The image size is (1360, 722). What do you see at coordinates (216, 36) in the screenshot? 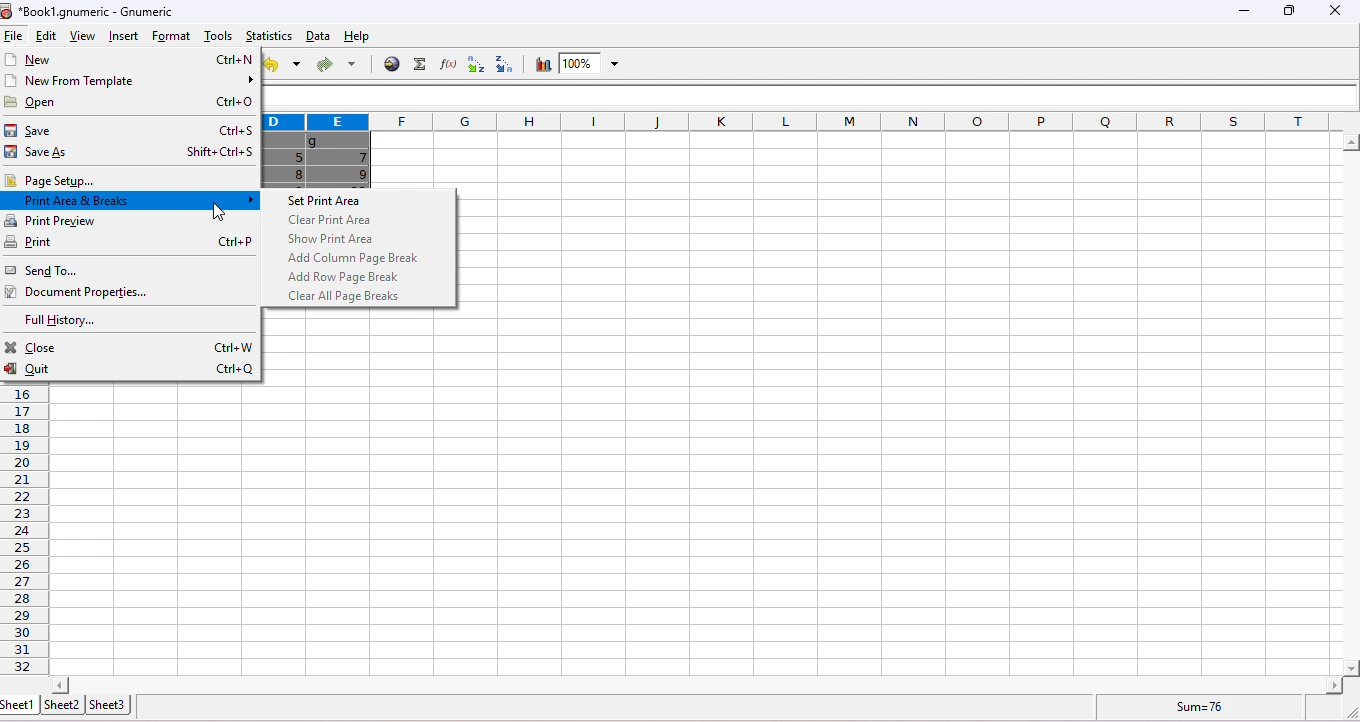
I see `tools` at bounding box center [216, 36].